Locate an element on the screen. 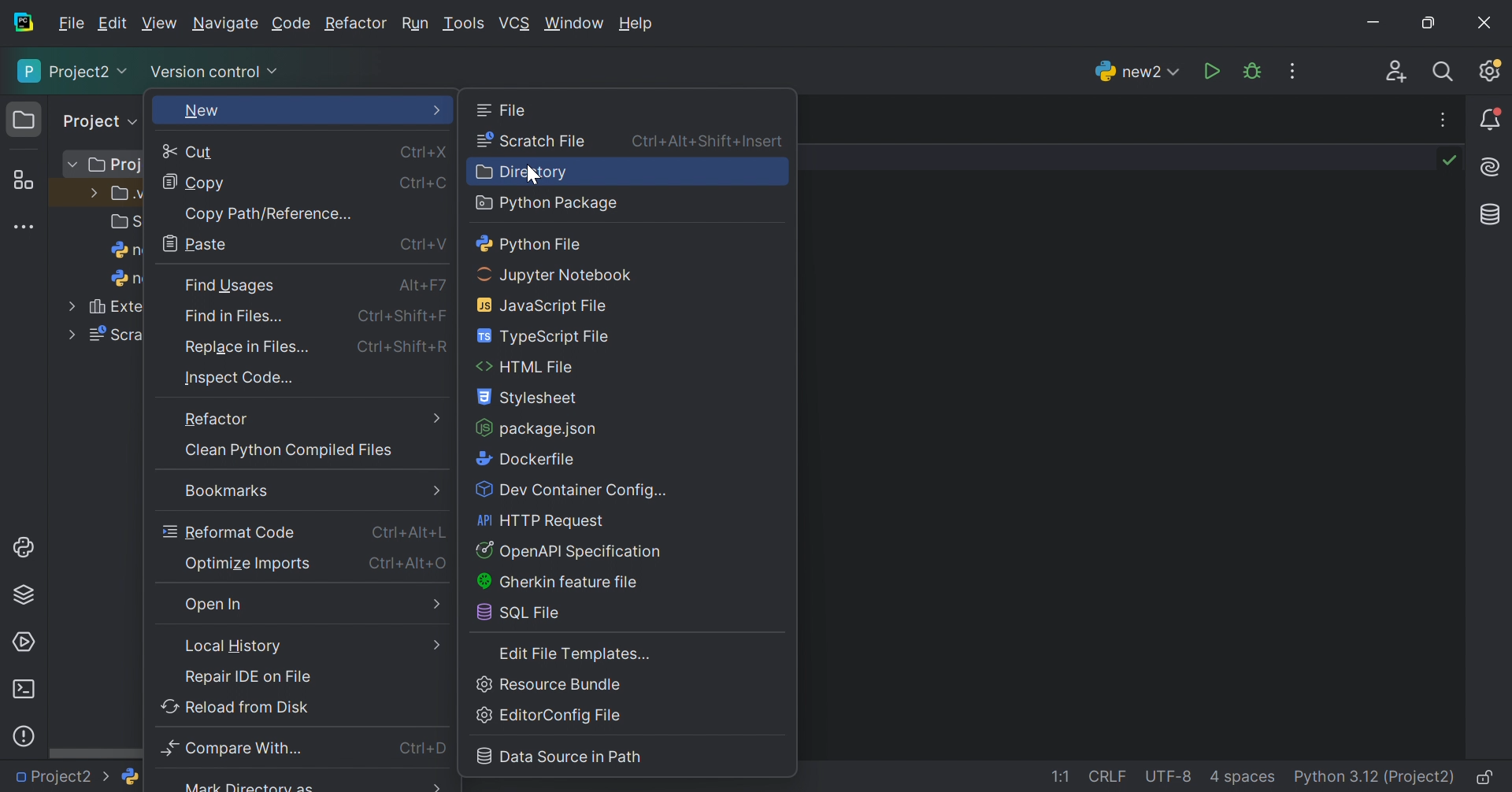  .v is located at coordinates (128, 193).